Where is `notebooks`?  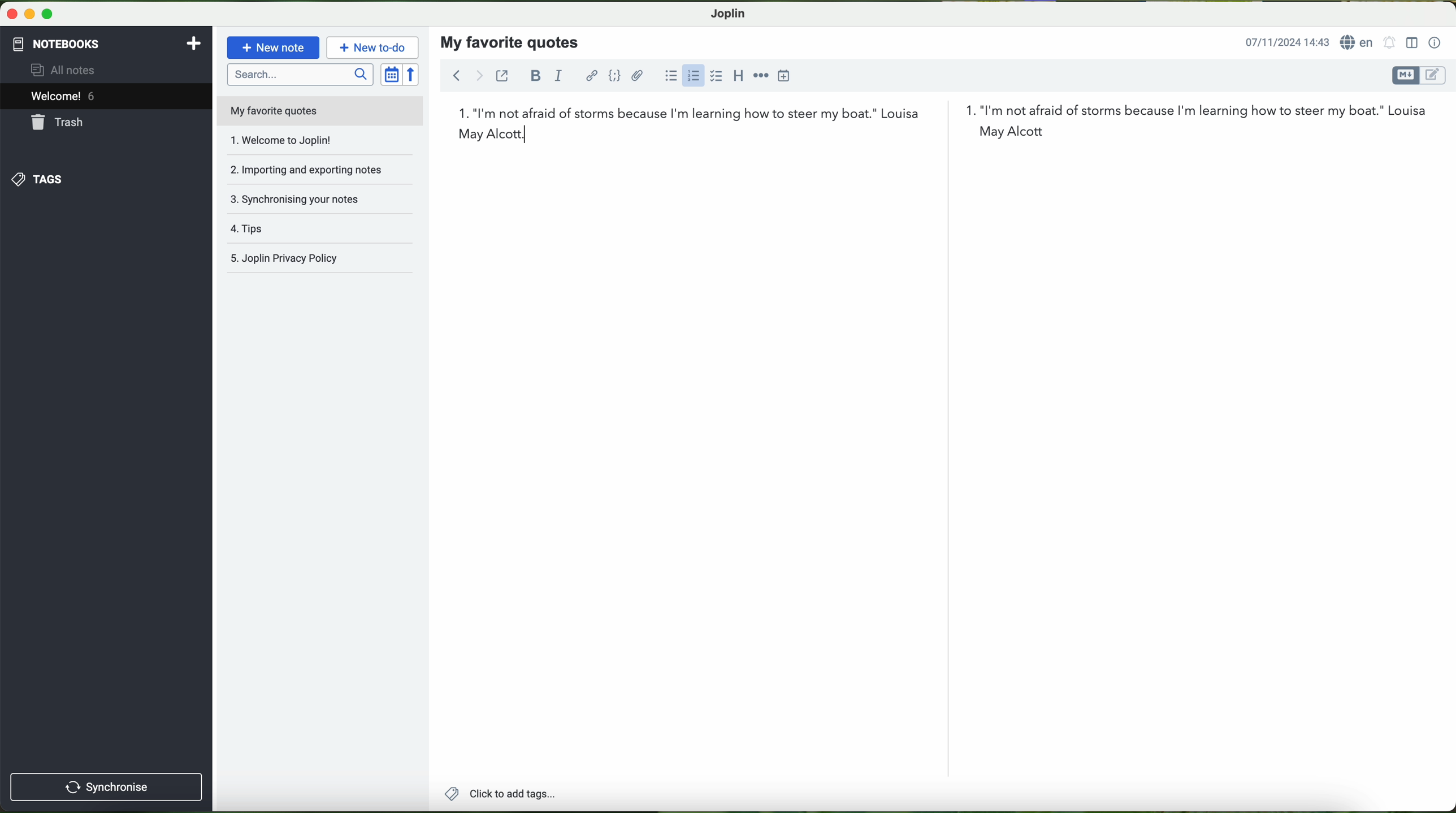 notebooks is located at coordinates (107, 42).